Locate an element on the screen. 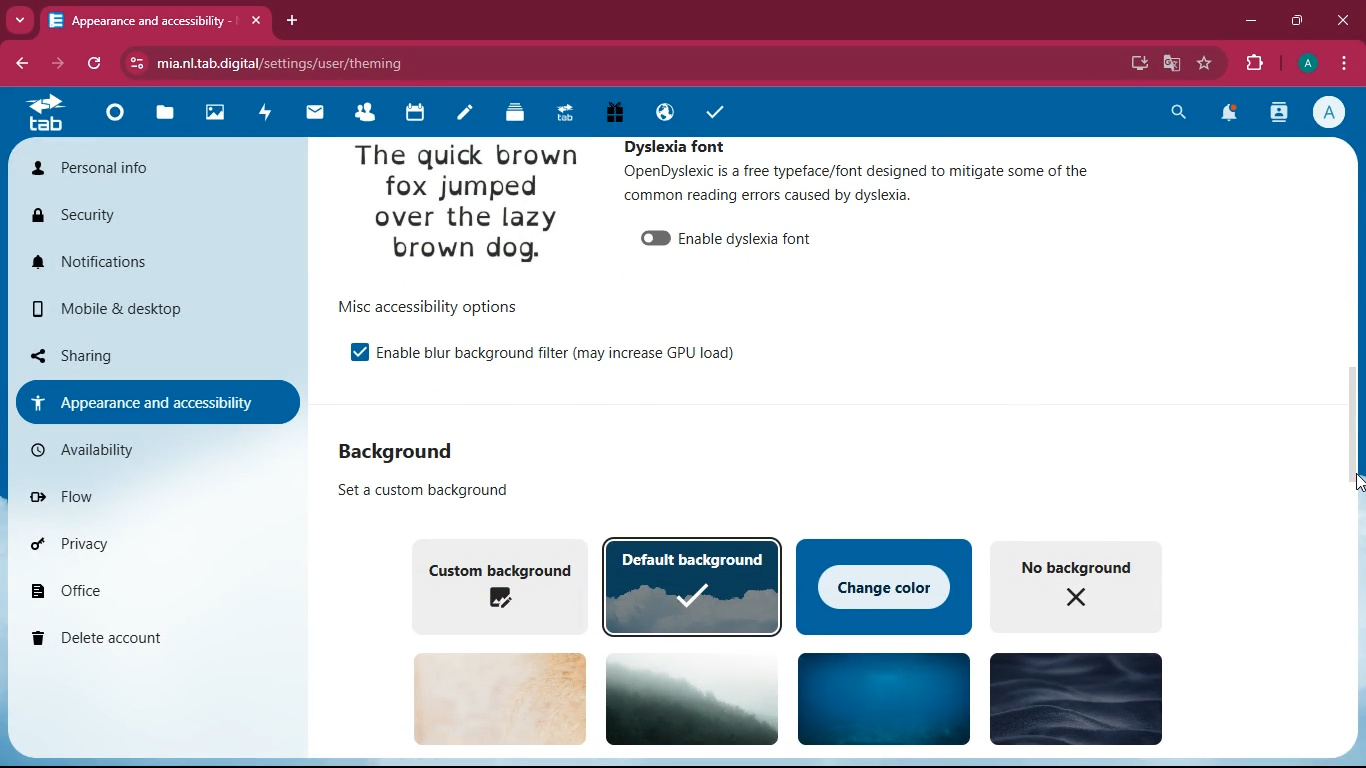  search is located at coordinates (1176, 115).